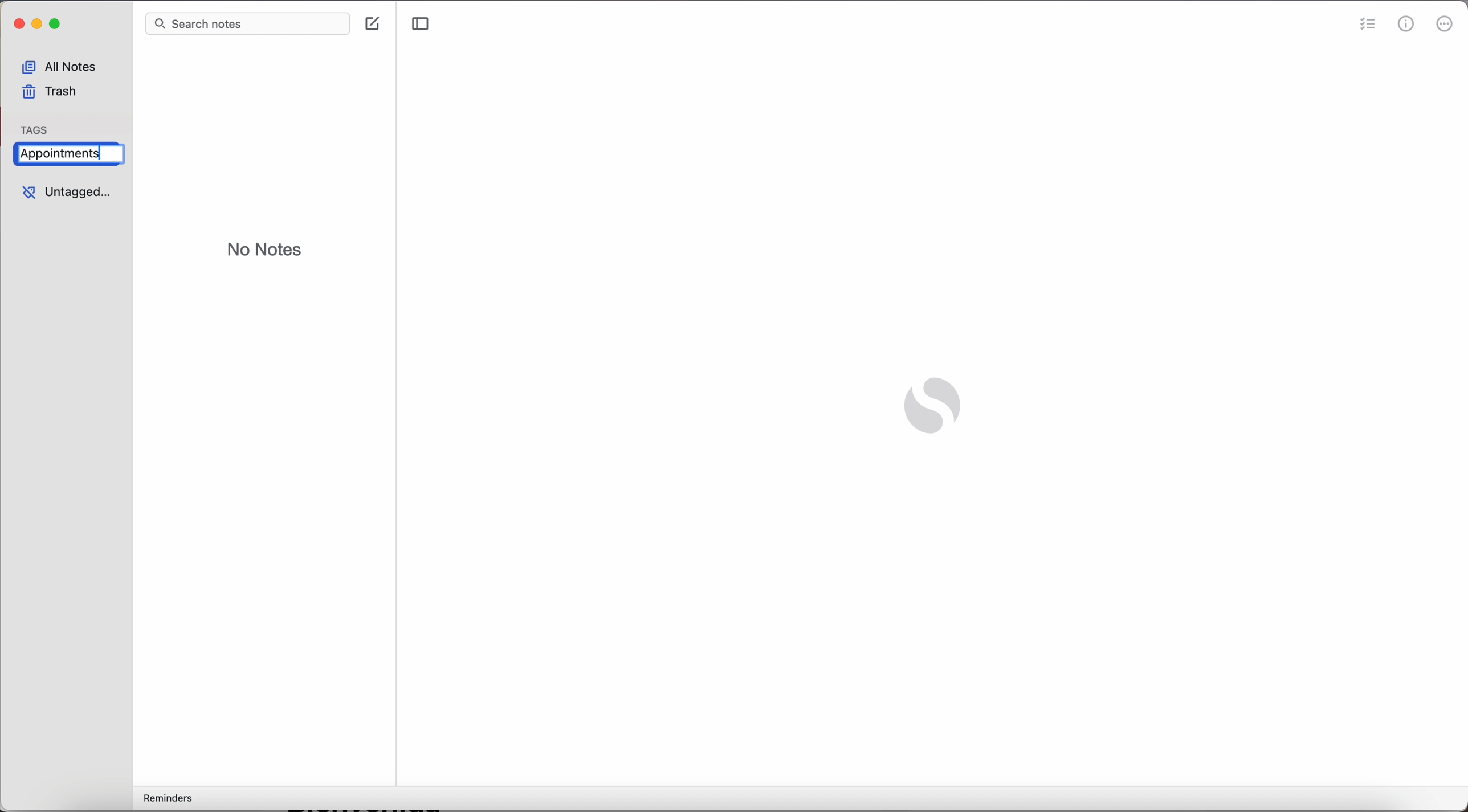  What do you see at coordinates (165, 799) in the screenshot?
I see `reminders tag` at bounding box center [165, 799].